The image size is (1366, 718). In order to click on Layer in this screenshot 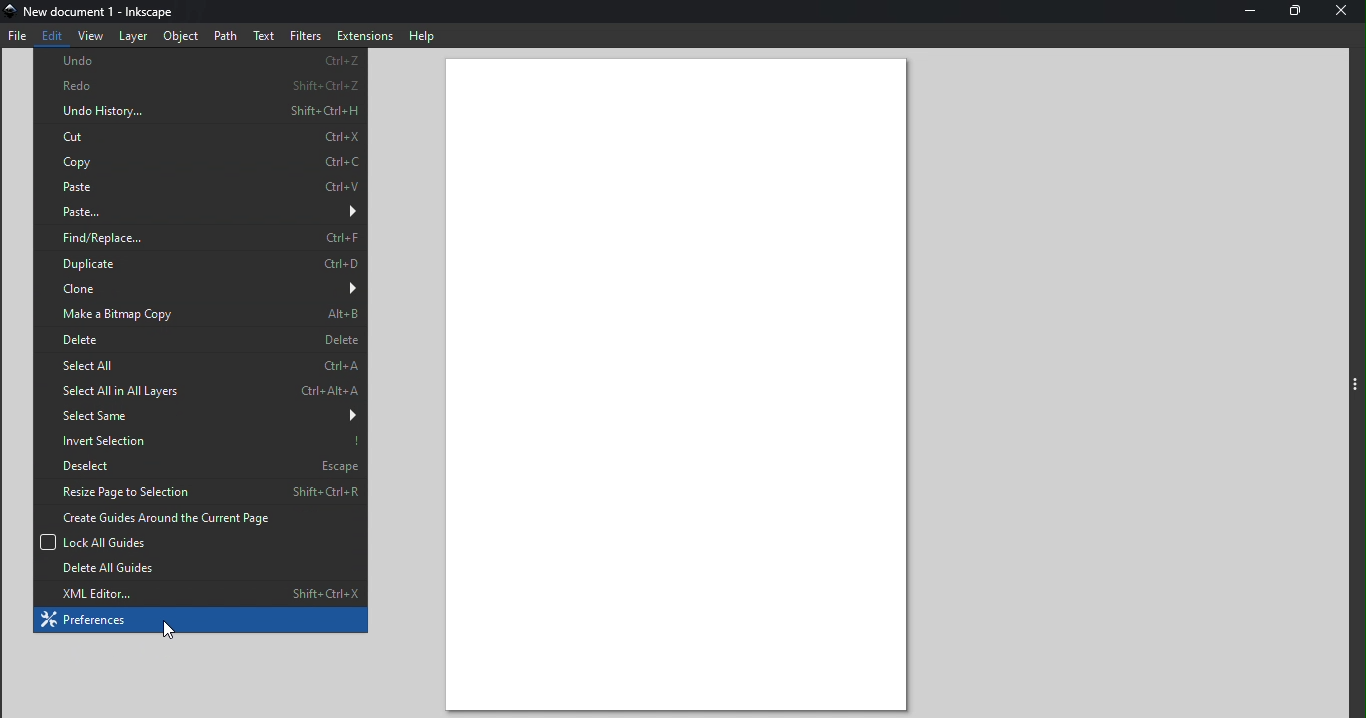, I will do `click(131, 38)`.